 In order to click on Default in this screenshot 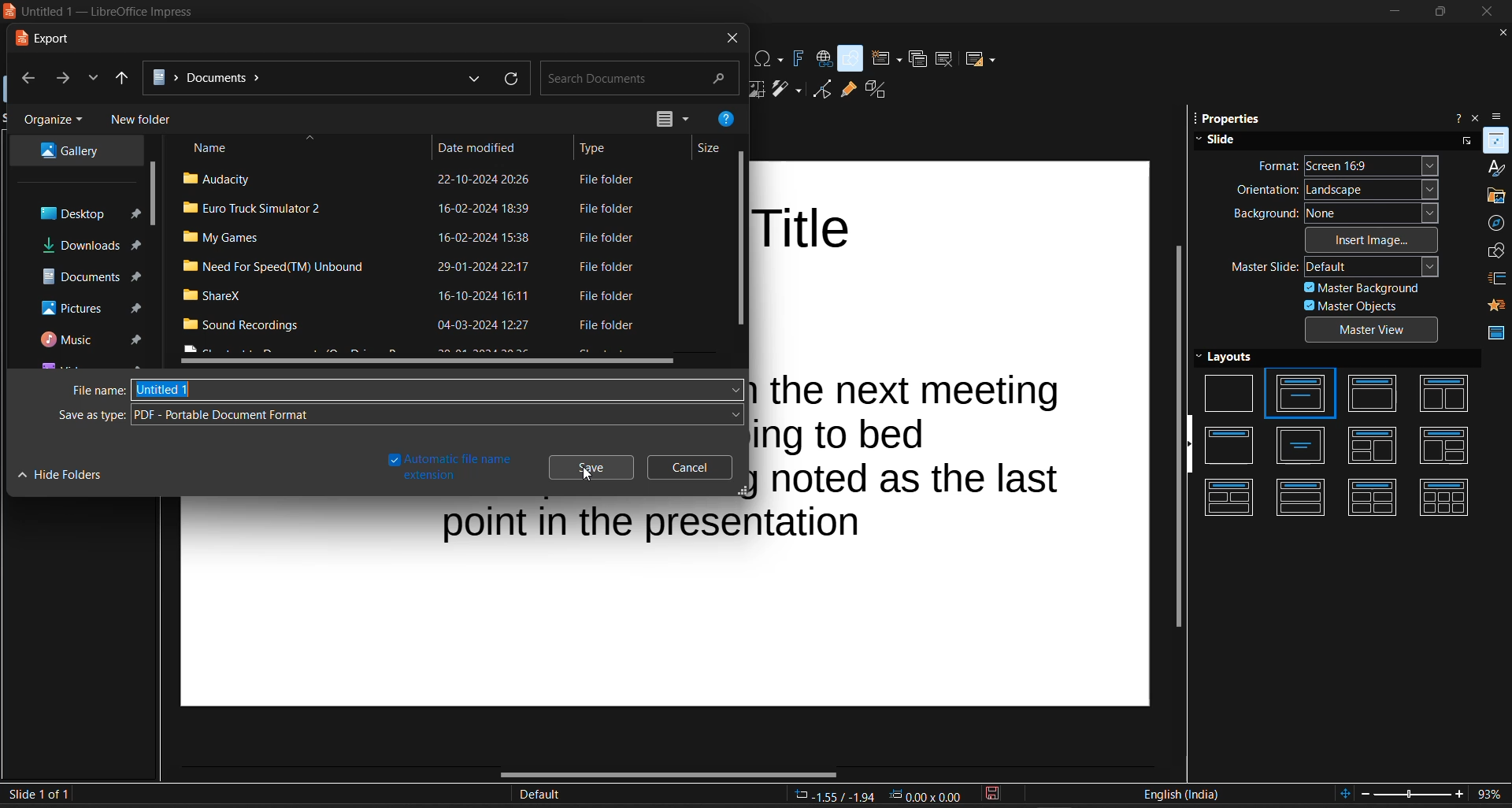, I will do `click(540, 795)`.